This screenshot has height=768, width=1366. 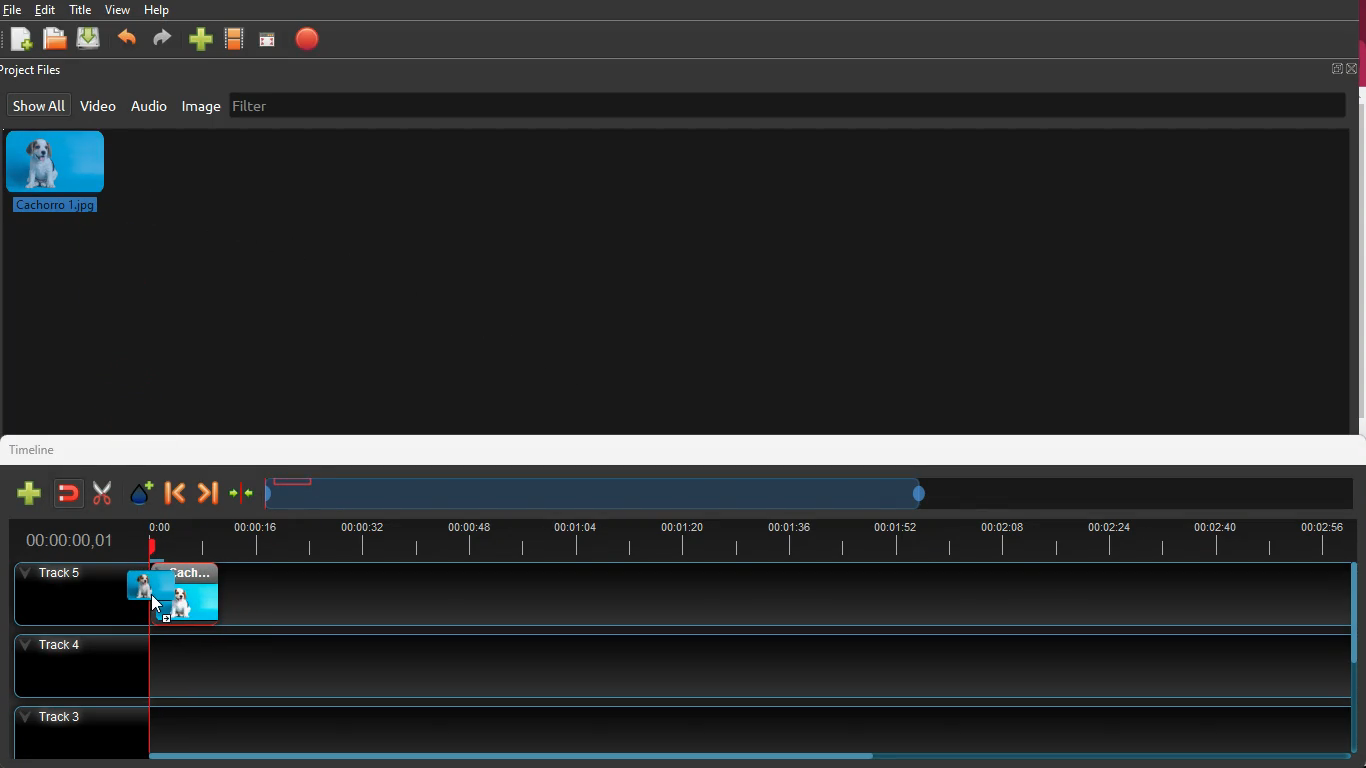 What do you see at coordinates (308, 39) in the screenshot?
I see `record` at bounding box center [308, 39].